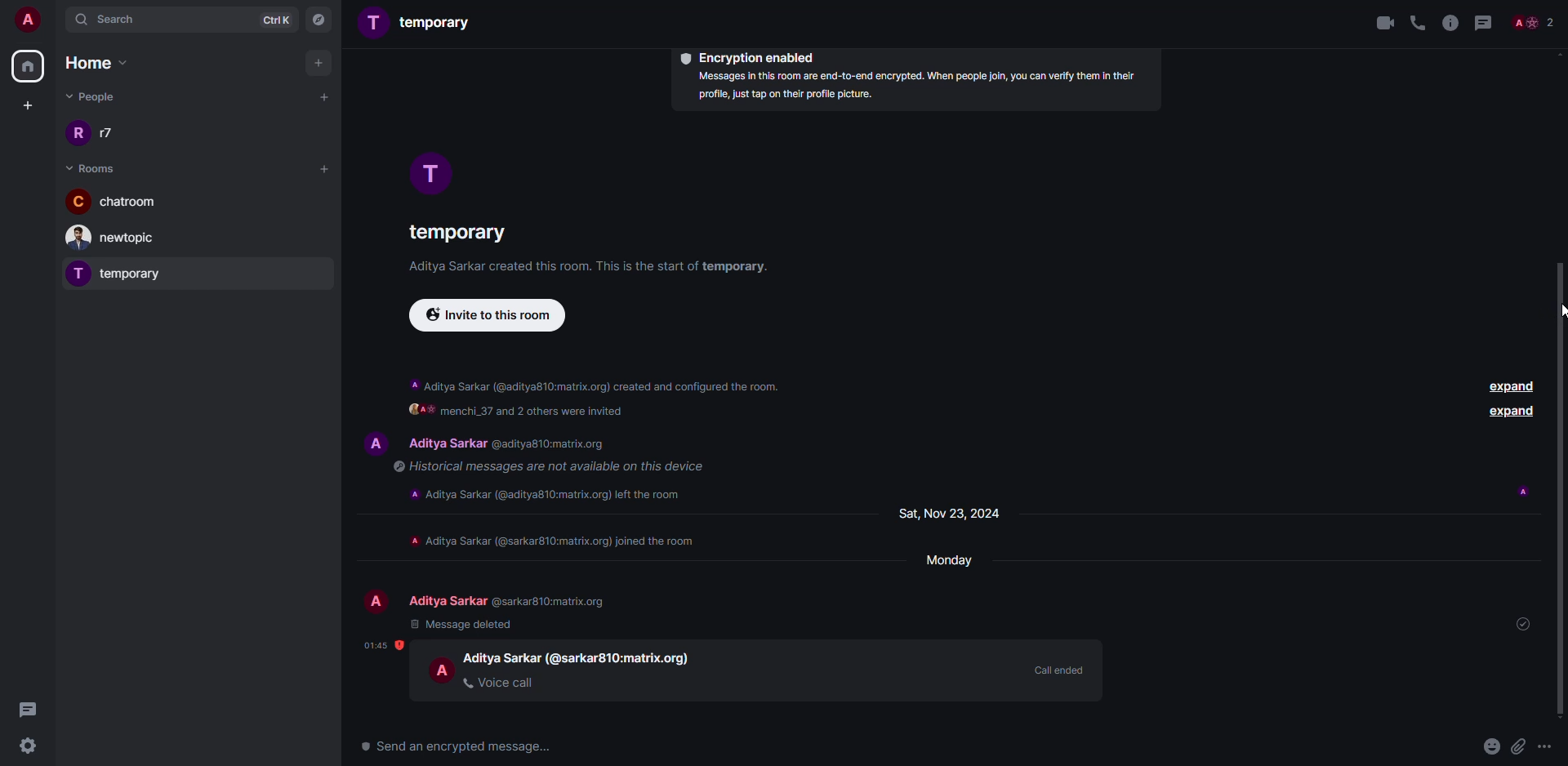 The height and width of the screenshot is (766, 1568). I want to click on more, so click(1545, 747).